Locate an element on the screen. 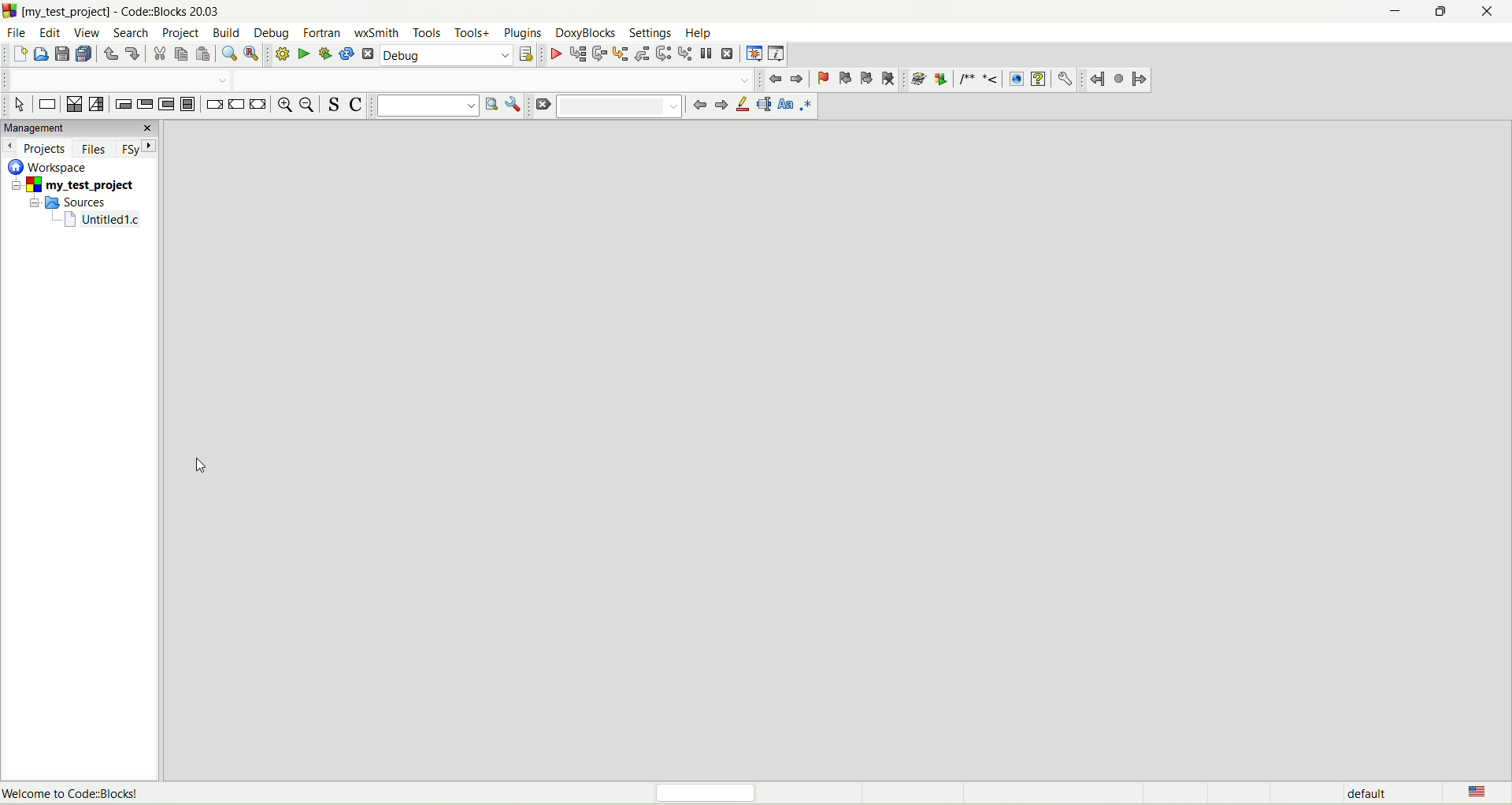  clear bookmark is located at coordinates (890, 78).